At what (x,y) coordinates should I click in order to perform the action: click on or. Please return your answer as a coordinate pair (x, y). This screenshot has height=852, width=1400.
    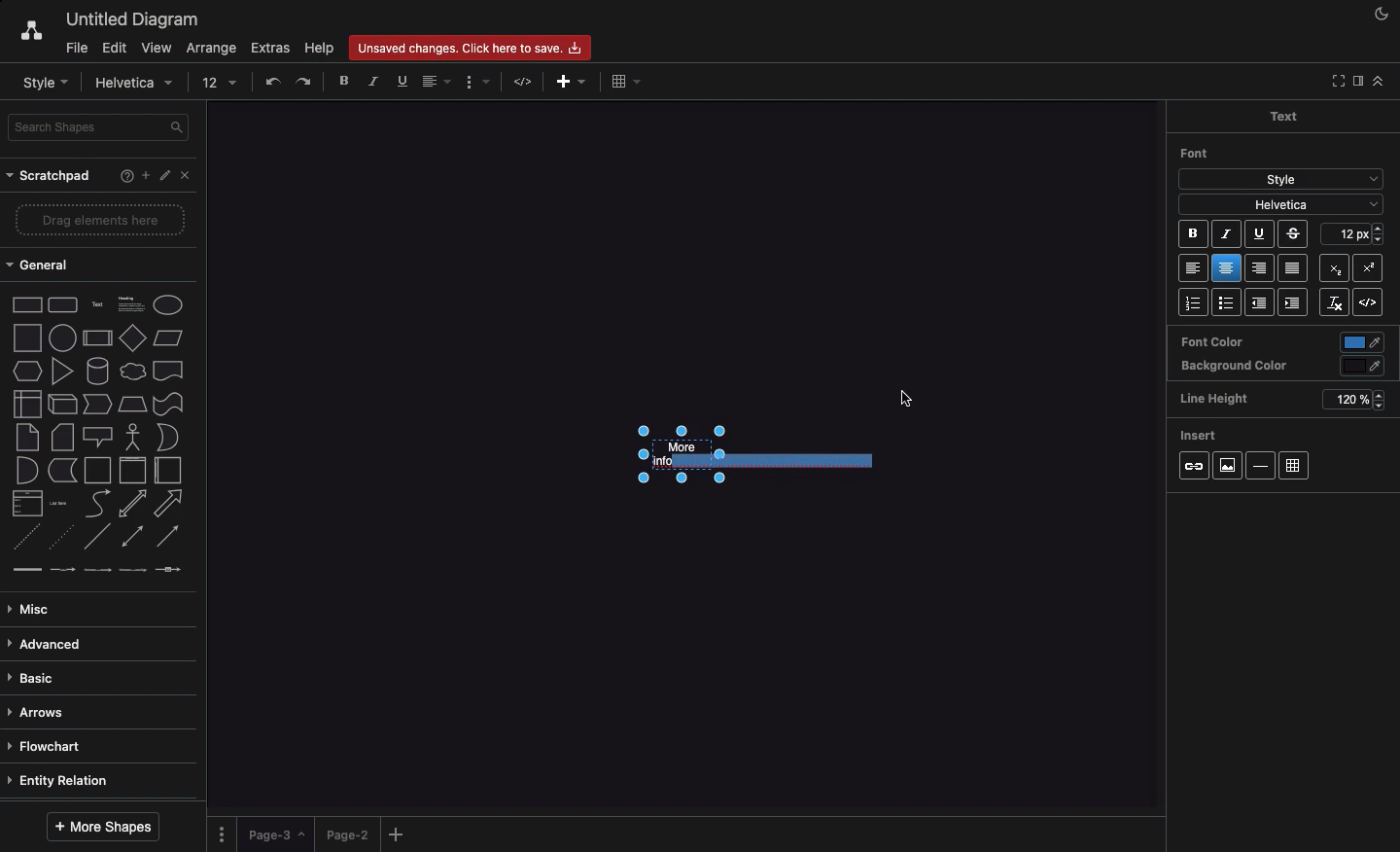
    Looking at the image, I should click on (168, 437).